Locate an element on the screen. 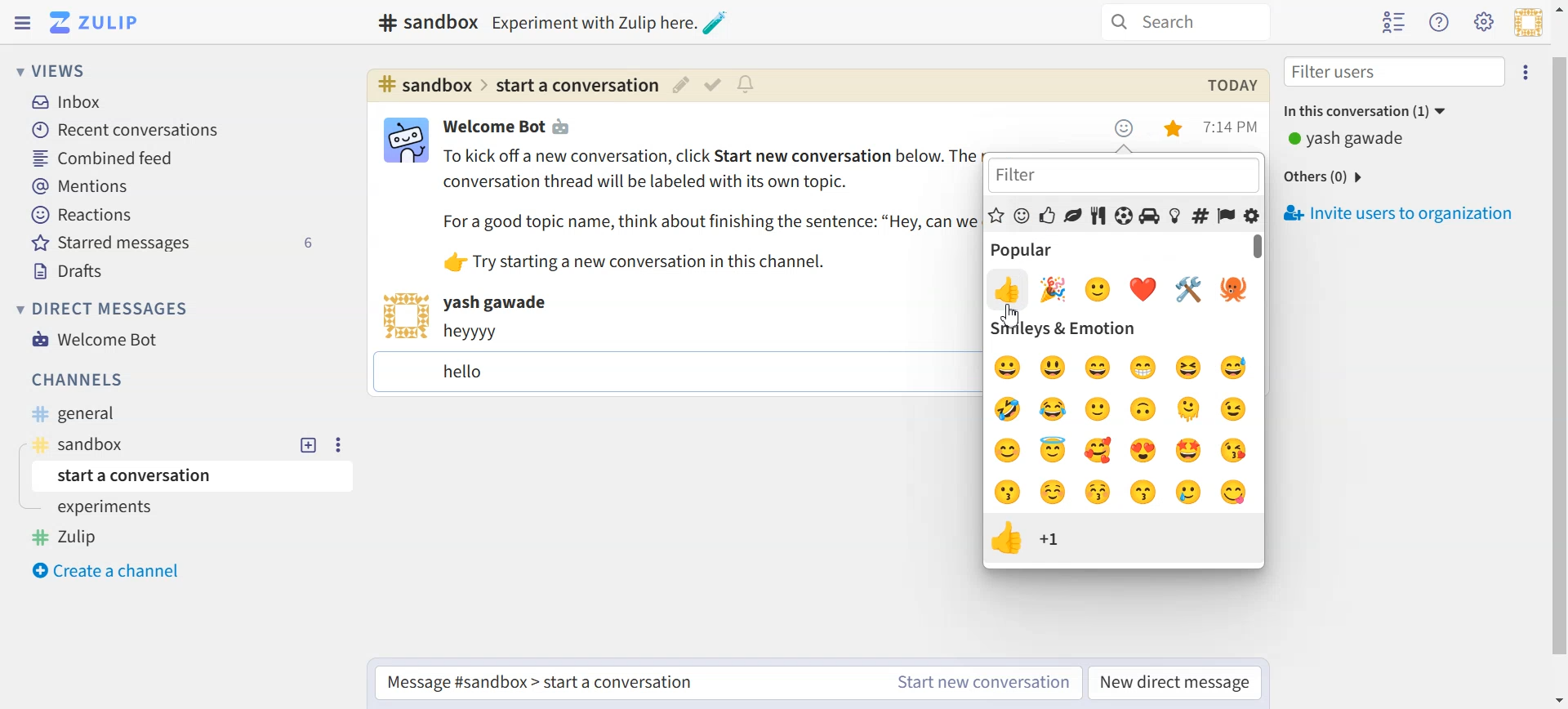  People and Body is located at coordinates (1047, 216).